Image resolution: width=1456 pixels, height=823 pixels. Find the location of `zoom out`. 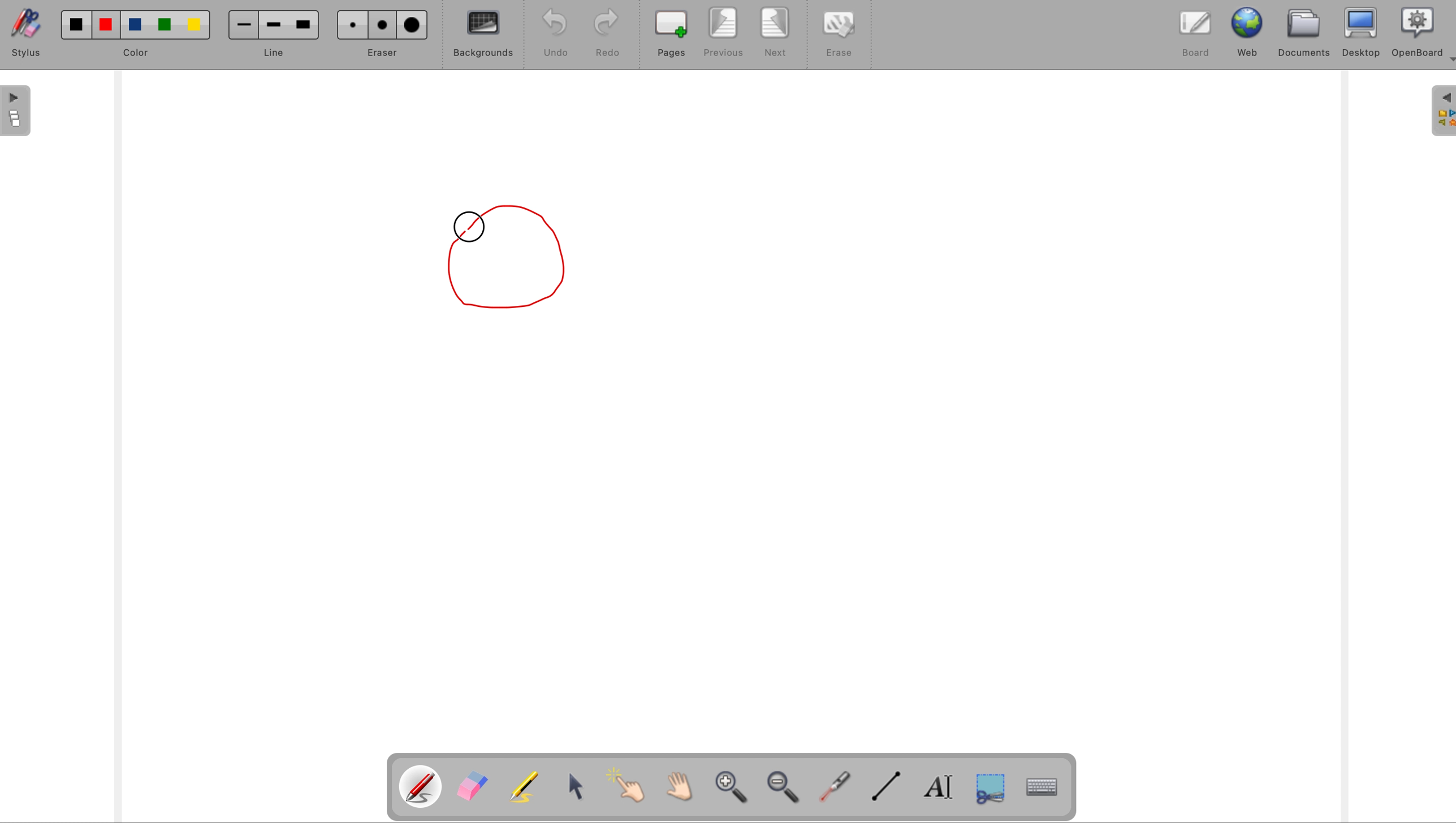

zoom out is located at coordinates (787, 789).